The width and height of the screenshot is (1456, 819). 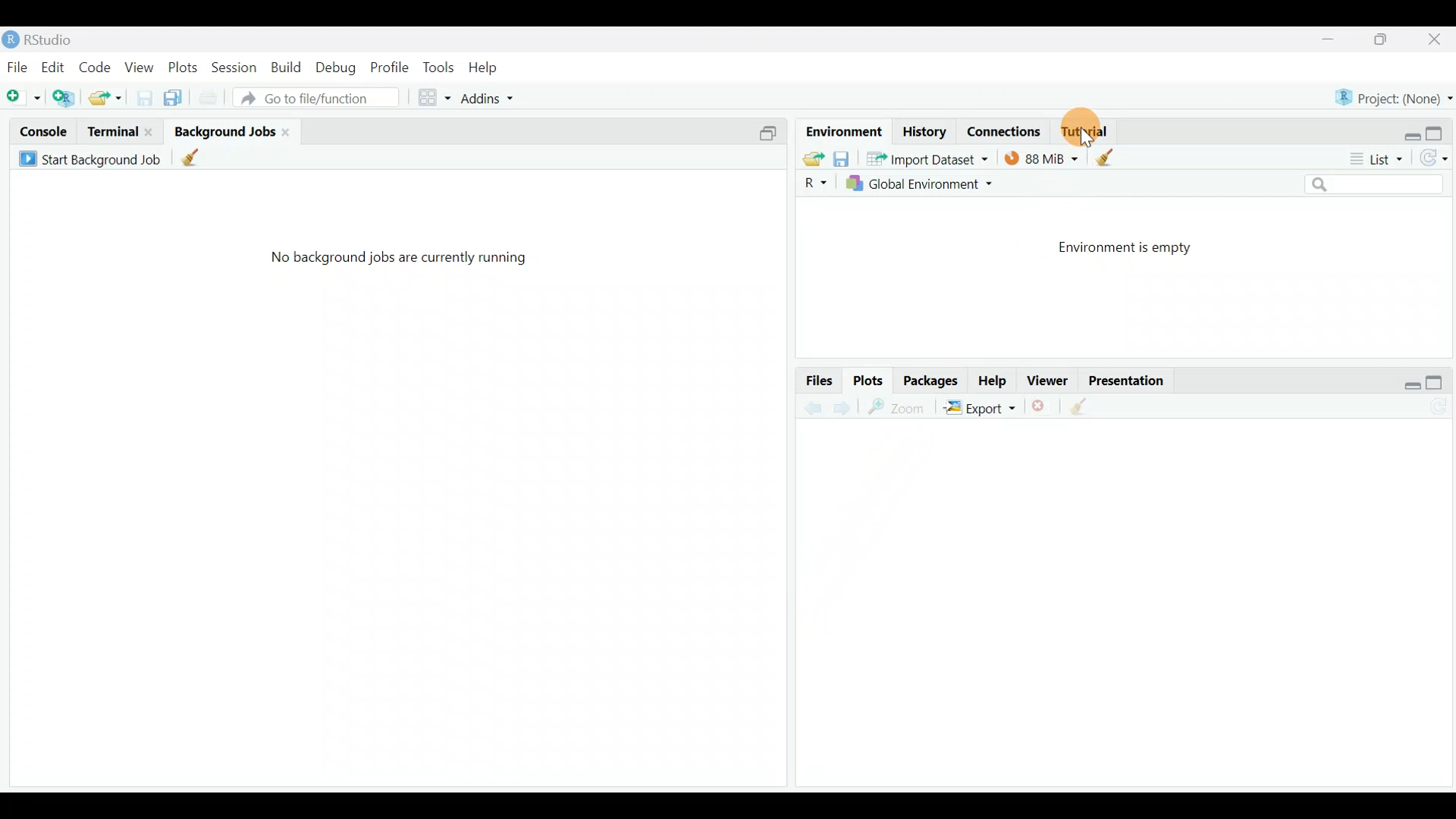 What do you see at coordinates (1439, 131) in the screenshot?
I see `Maximize` at bounding box center [1439, 131].